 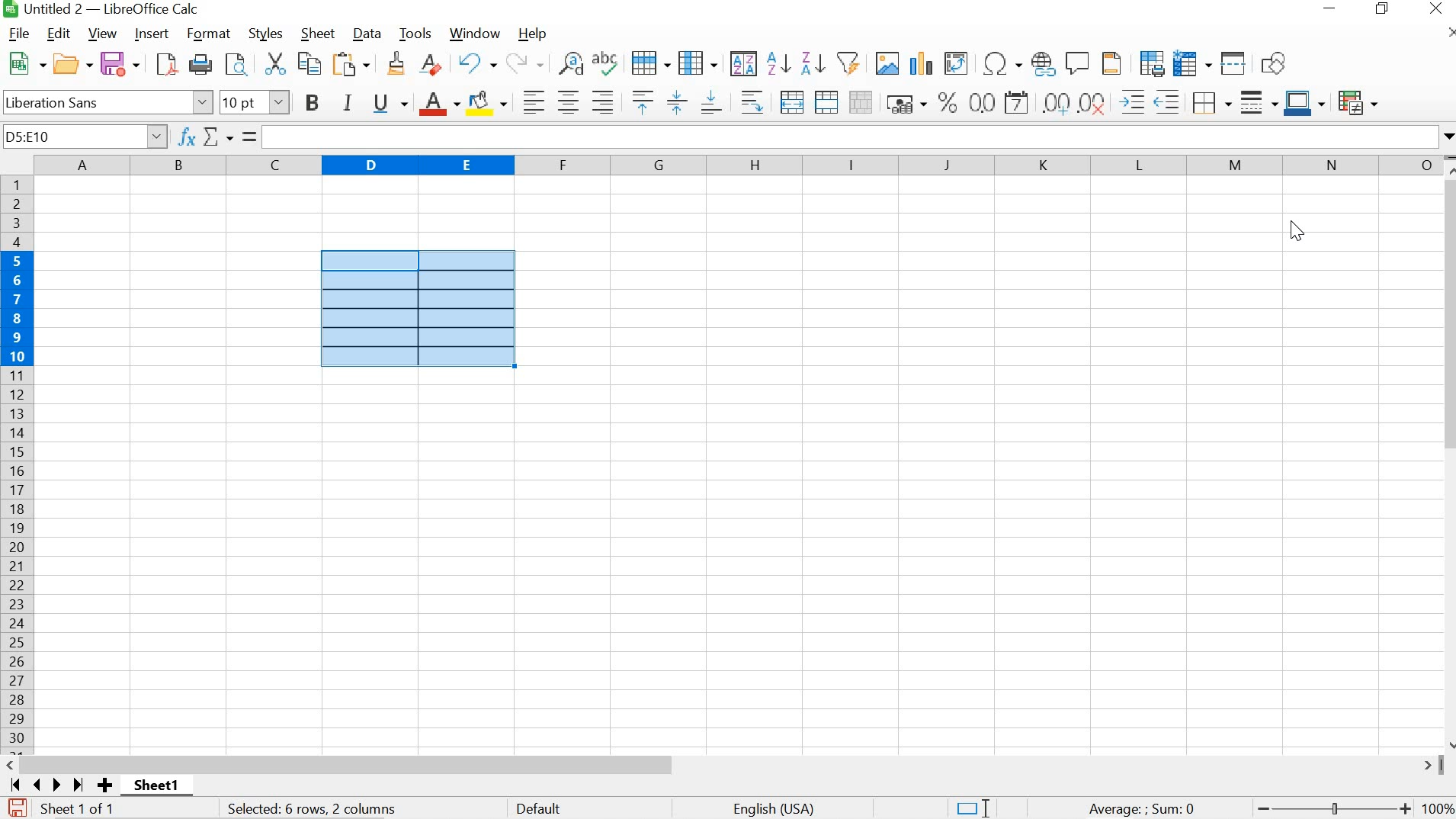 What do you see at coordinates (743, 64) in the screenshot?
I see `SORT` at bounding box center [743, 64].